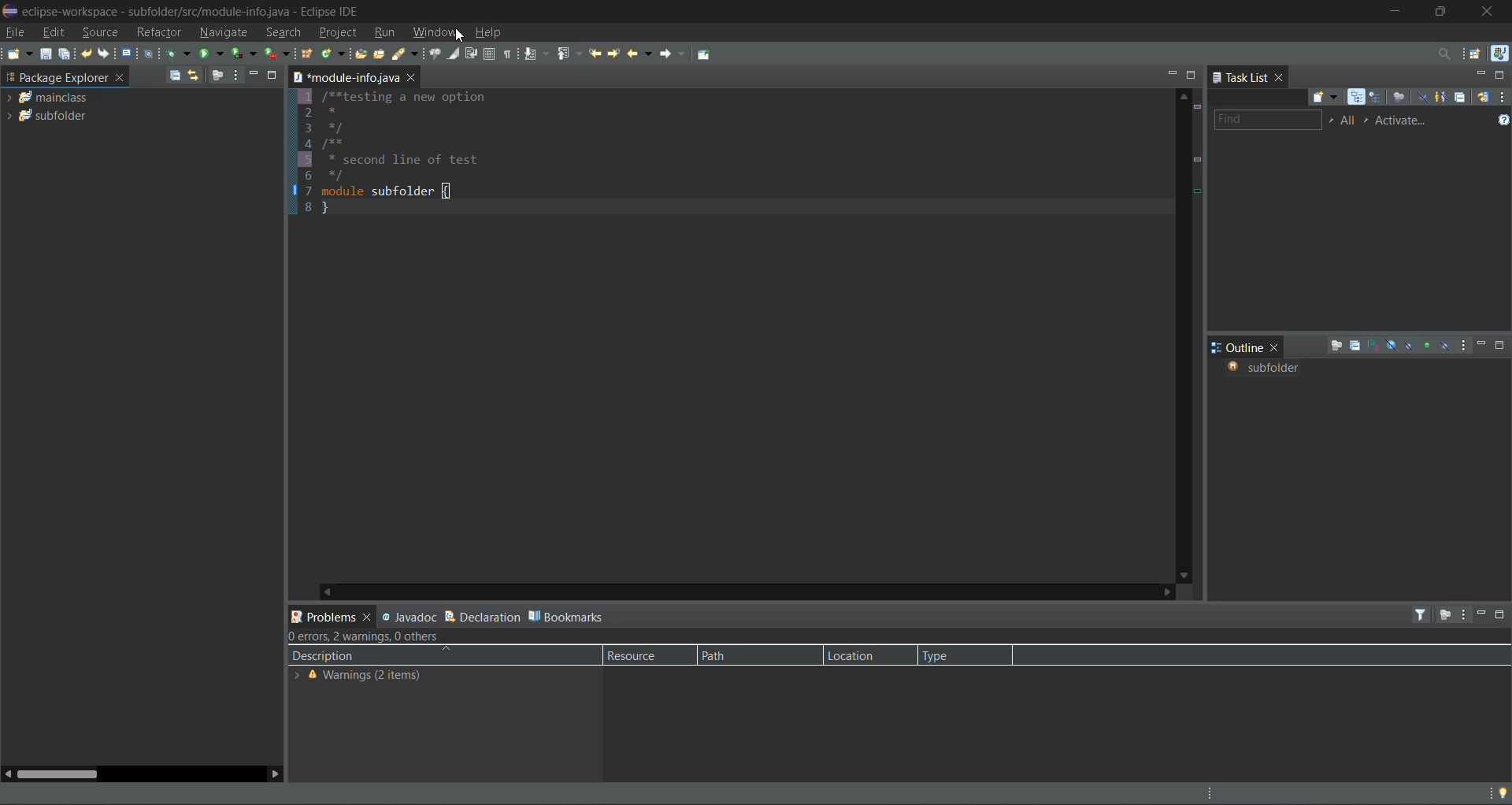 The width and height of the screenshot is (1512, 805). Describe the element at coordinates (1499, 792) in the screenshot. I see `tip of the day` at that location.